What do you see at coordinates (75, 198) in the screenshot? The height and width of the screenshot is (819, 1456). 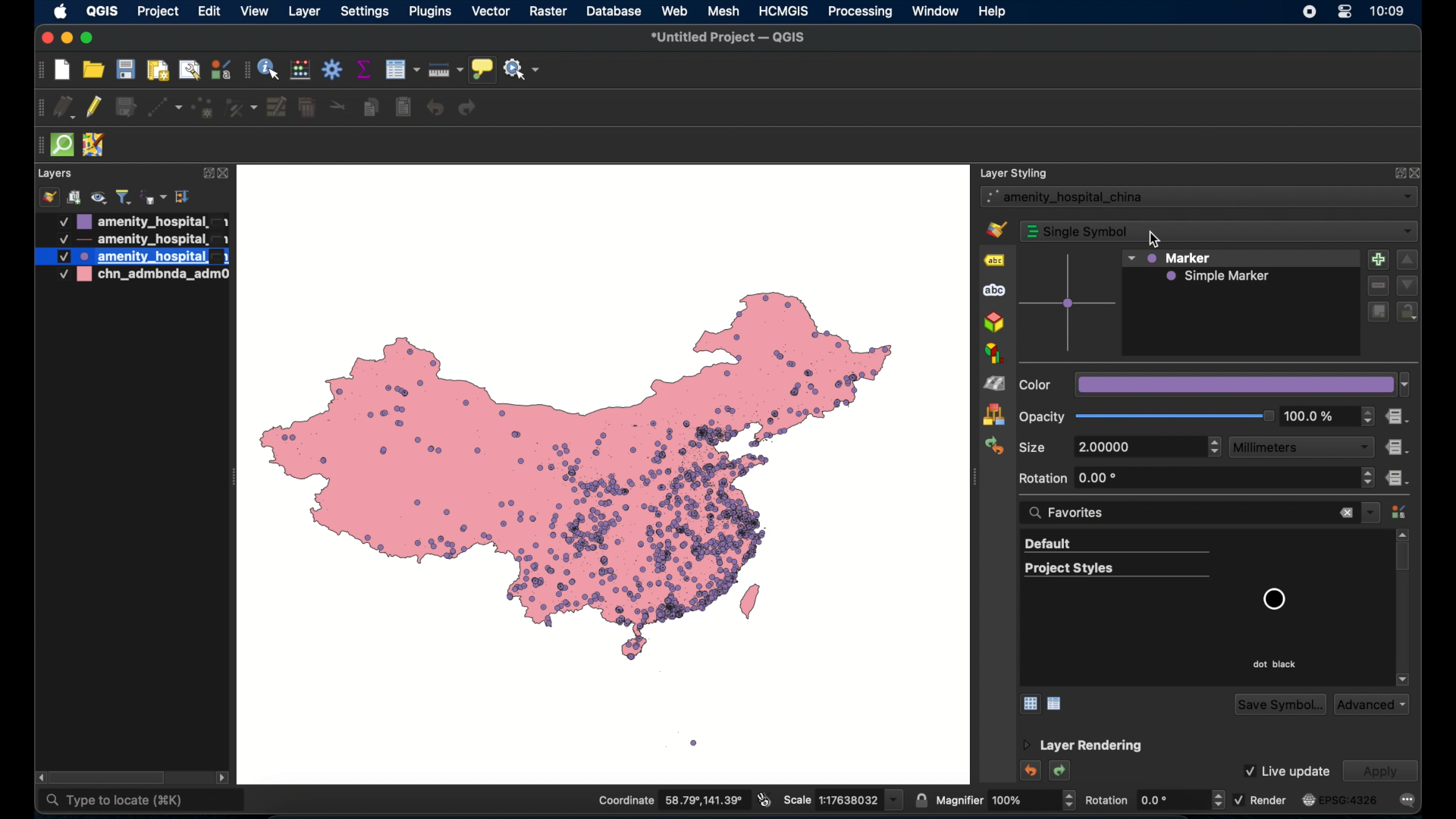 I see `add group` at bounding box center [75, 198].